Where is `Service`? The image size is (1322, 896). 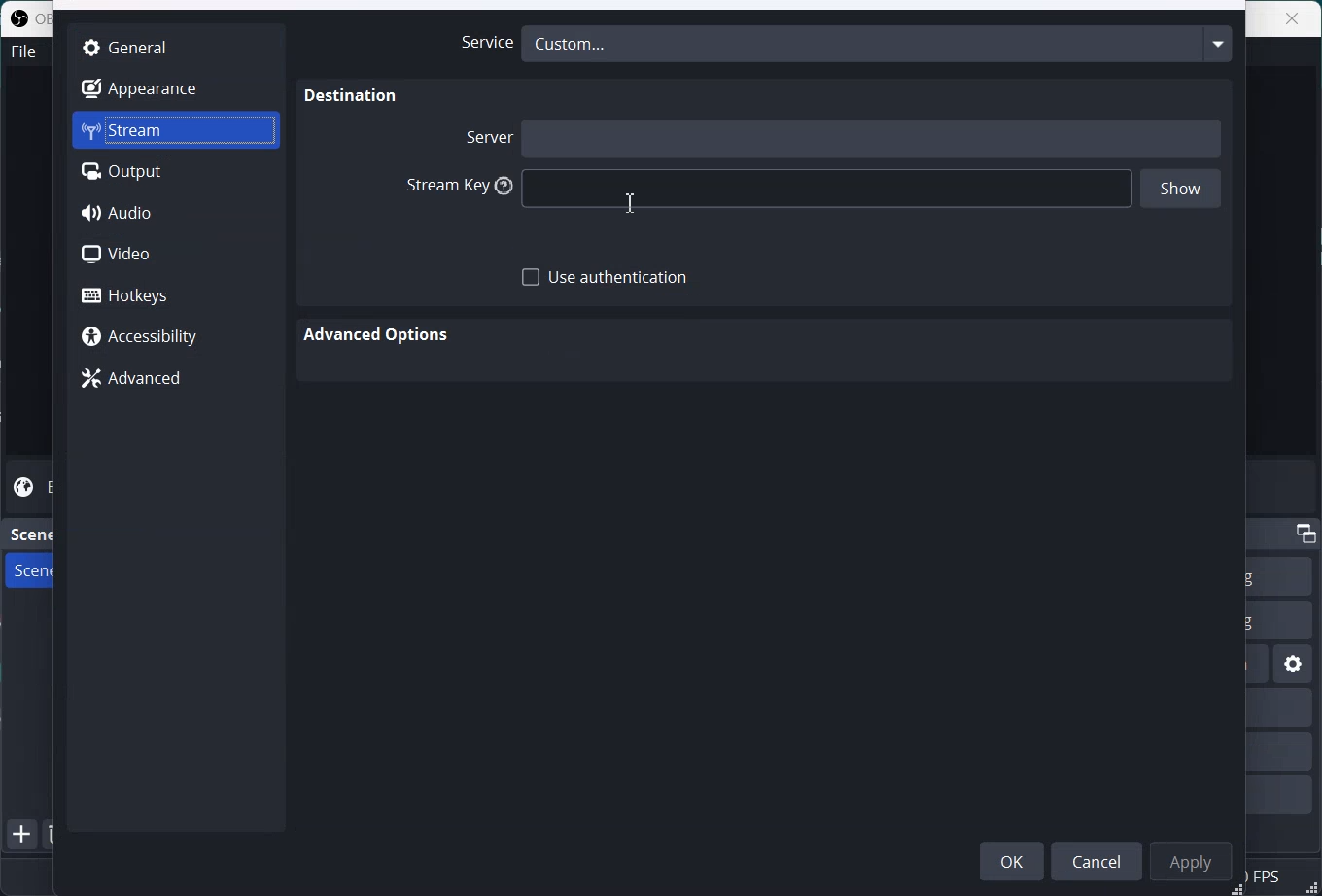
Service is located at coordinates (481, 43).